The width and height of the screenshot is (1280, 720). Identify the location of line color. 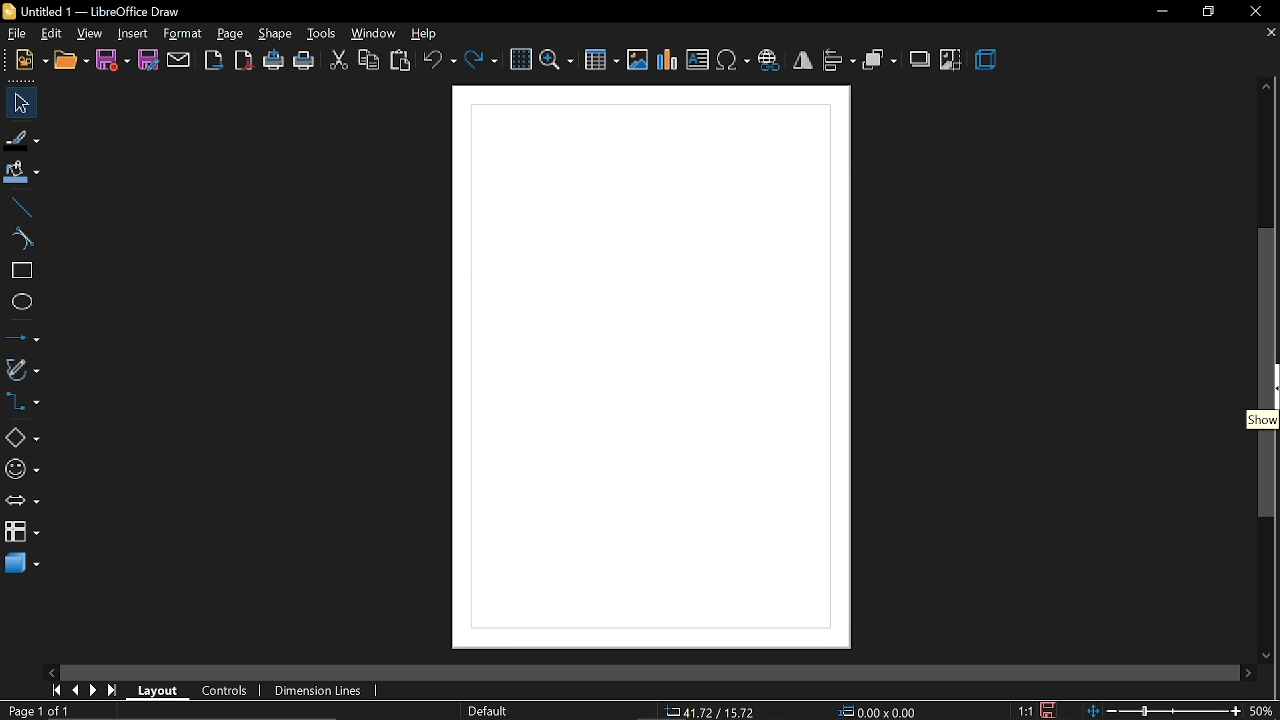
(20, 138).